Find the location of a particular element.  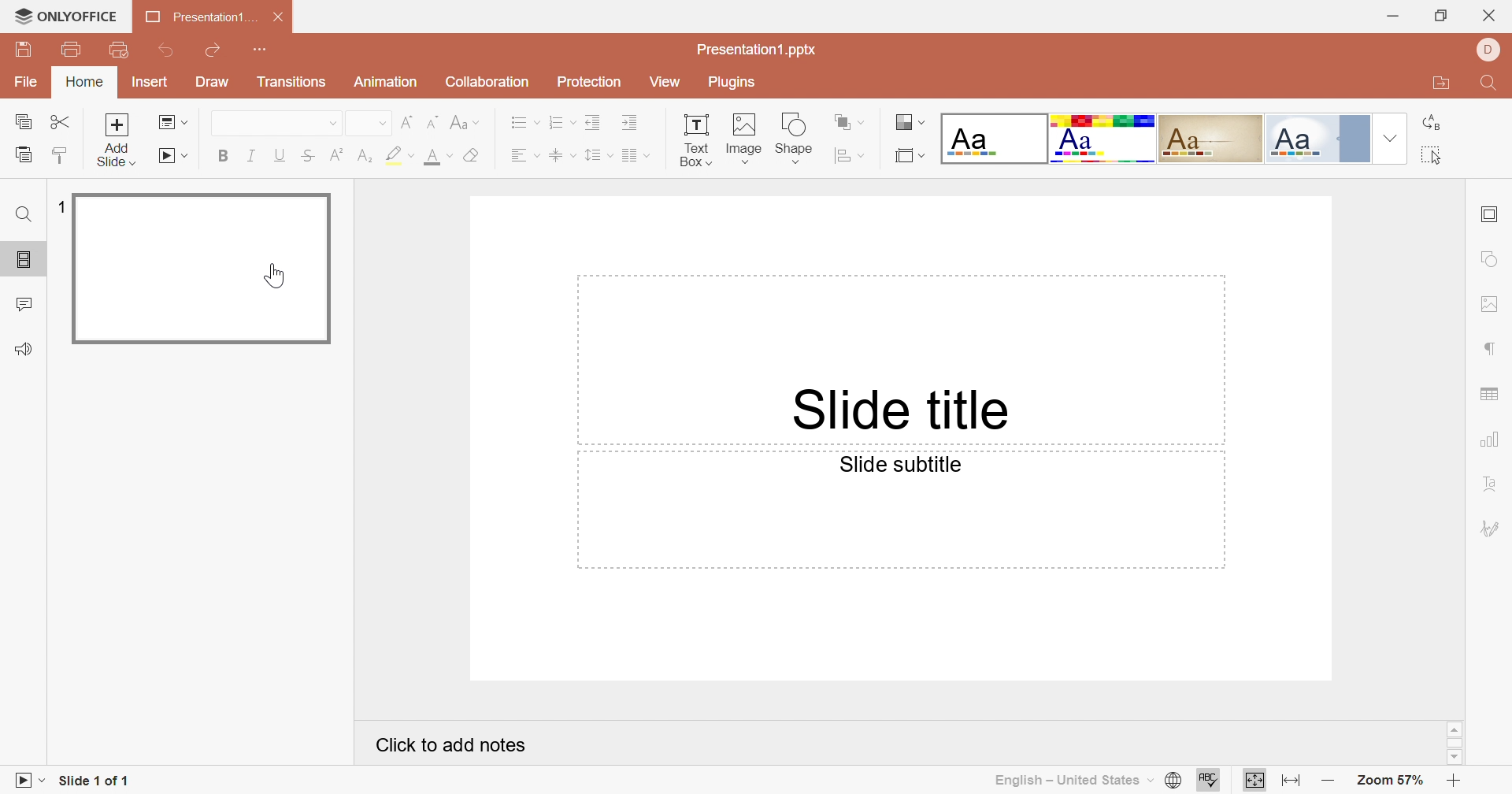

Insert is located at coordinates (156, 82).